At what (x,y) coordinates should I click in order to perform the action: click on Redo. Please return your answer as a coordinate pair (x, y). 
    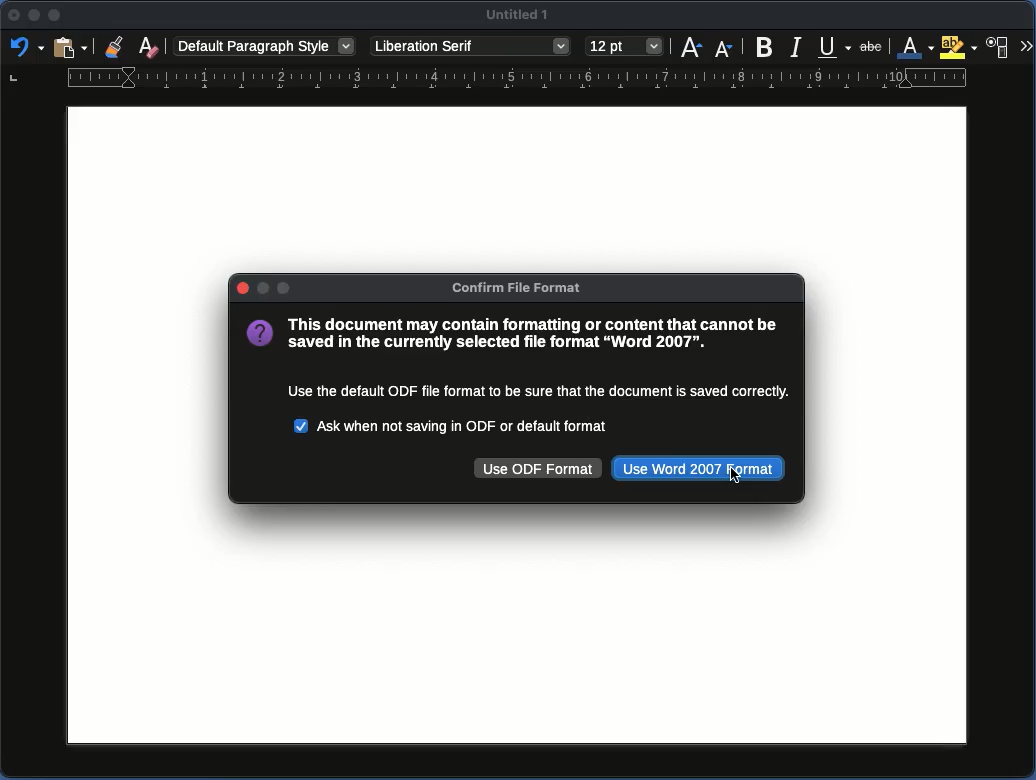
    Looking at the image, I should click on (23, 49).